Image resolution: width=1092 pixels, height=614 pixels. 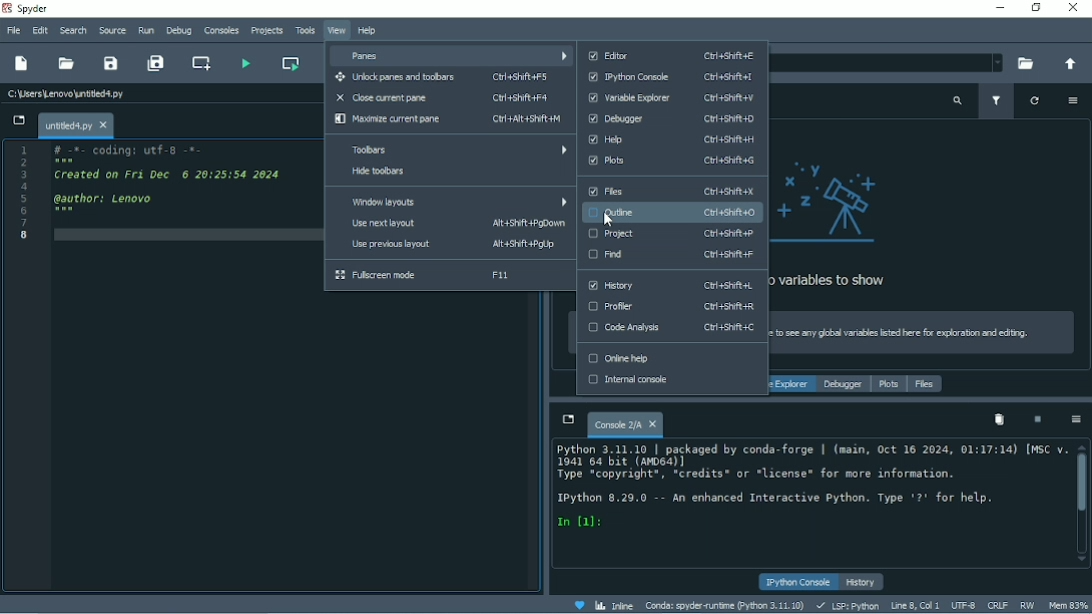 I want to click on Inline, so click(x=614, y=604).